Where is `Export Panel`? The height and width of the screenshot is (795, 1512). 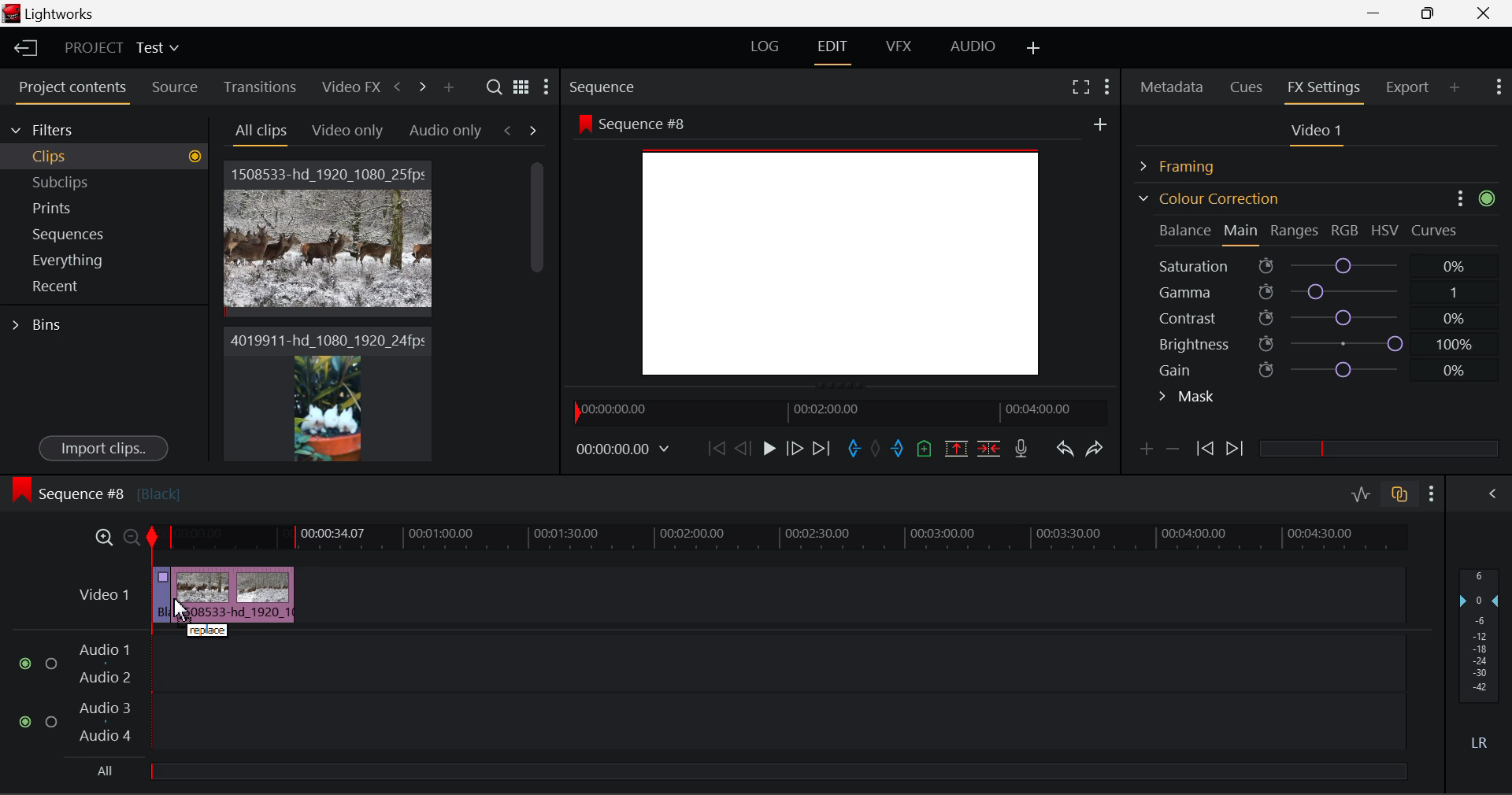 Export Panel is located at coordinates (1410, 87).